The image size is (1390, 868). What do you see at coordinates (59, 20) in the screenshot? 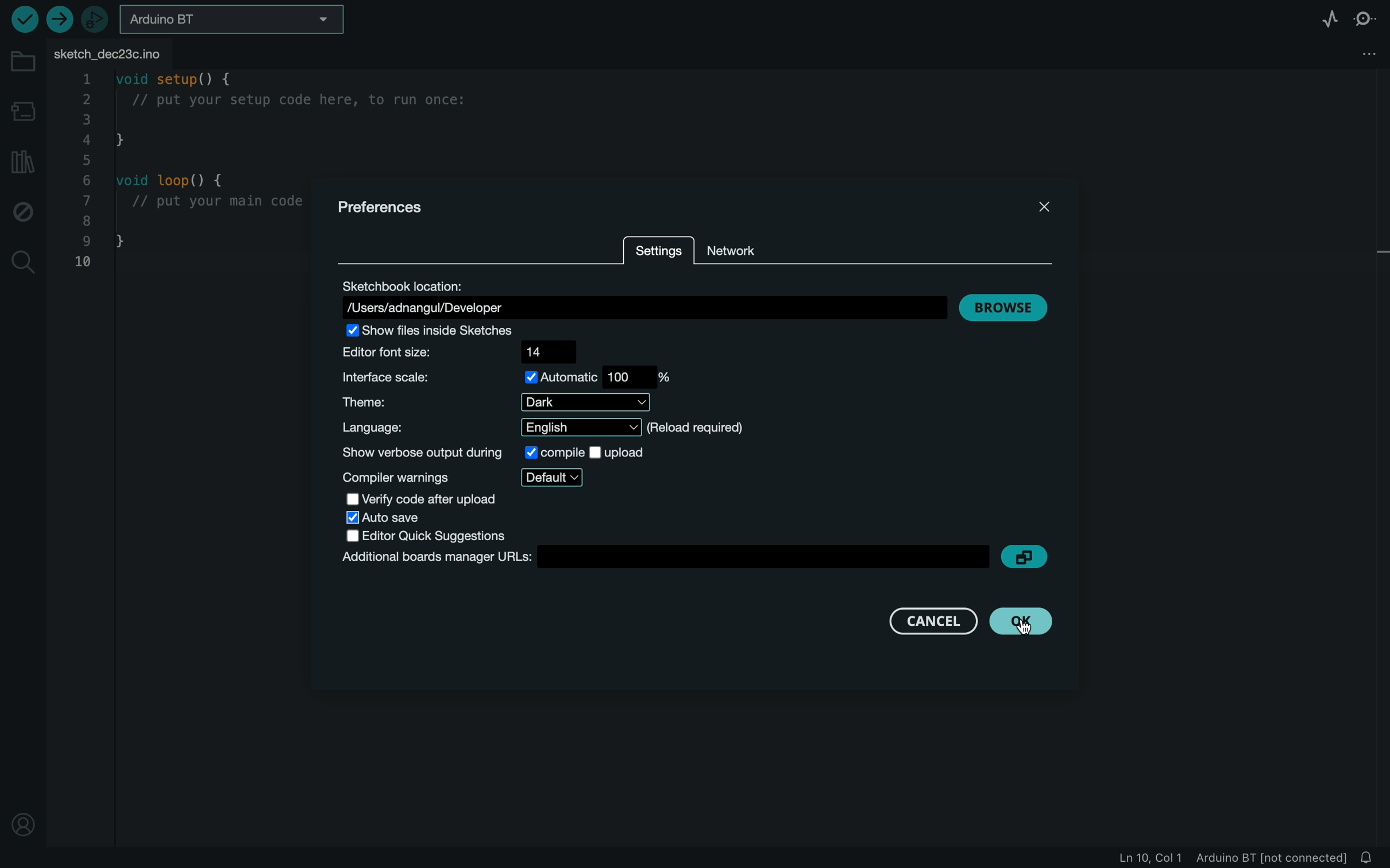
I see `upload` at bounding box center [59, 20].